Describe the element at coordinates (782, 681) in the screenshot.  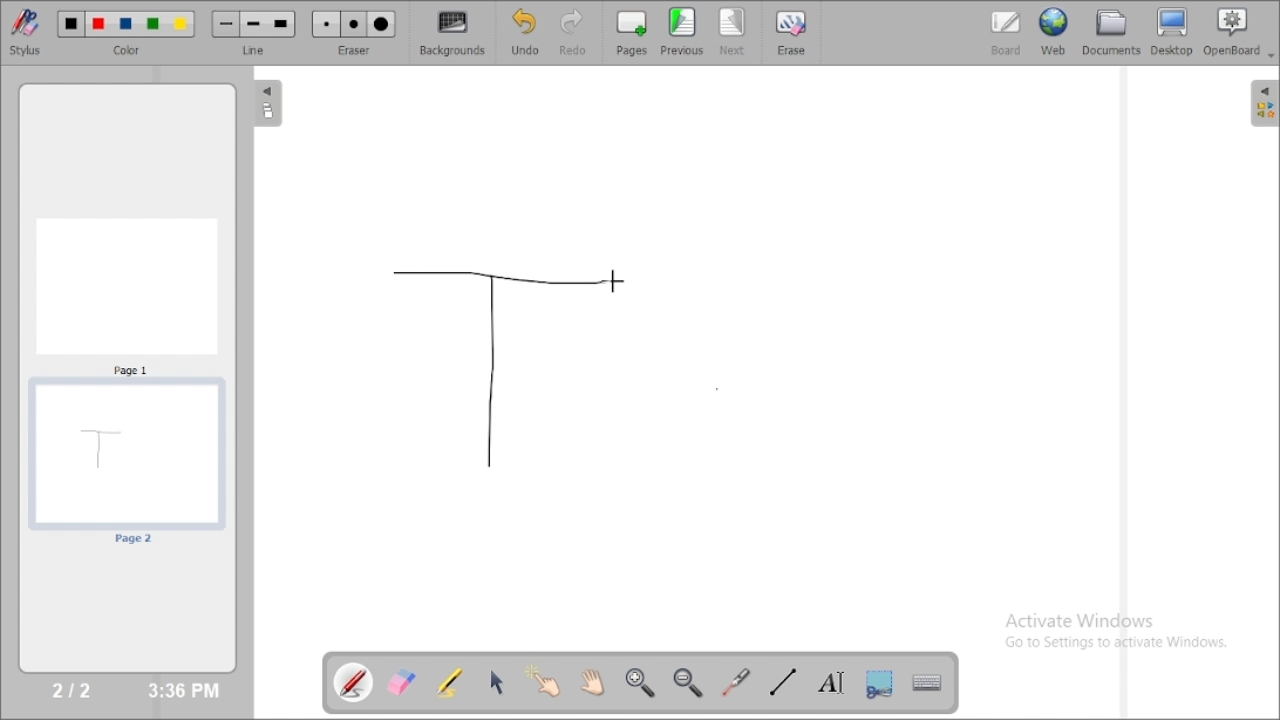
I see `draw lines` at that location.